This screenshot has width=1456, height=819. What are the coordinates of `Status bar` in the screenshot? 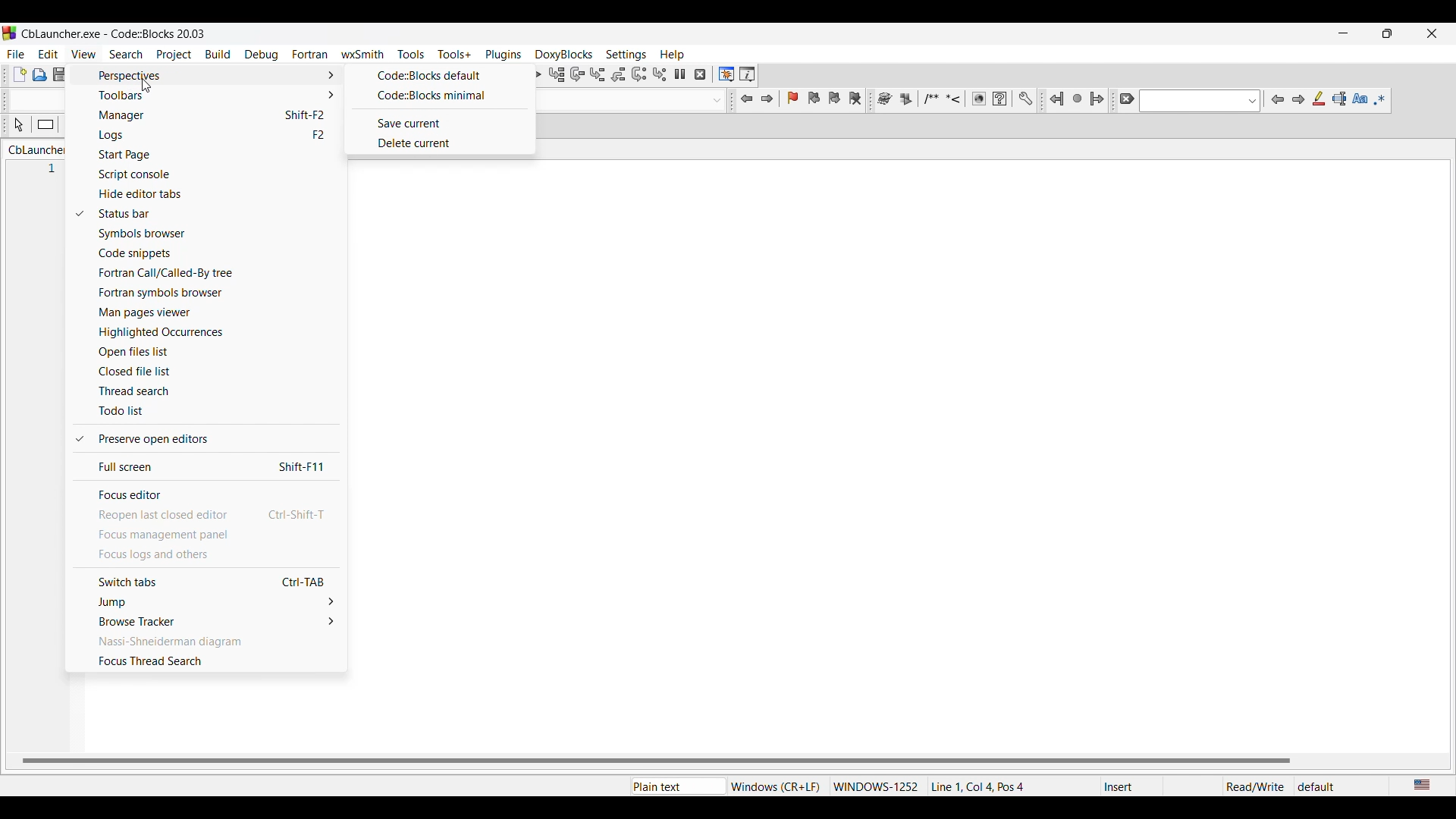 It's located at (218, 214).